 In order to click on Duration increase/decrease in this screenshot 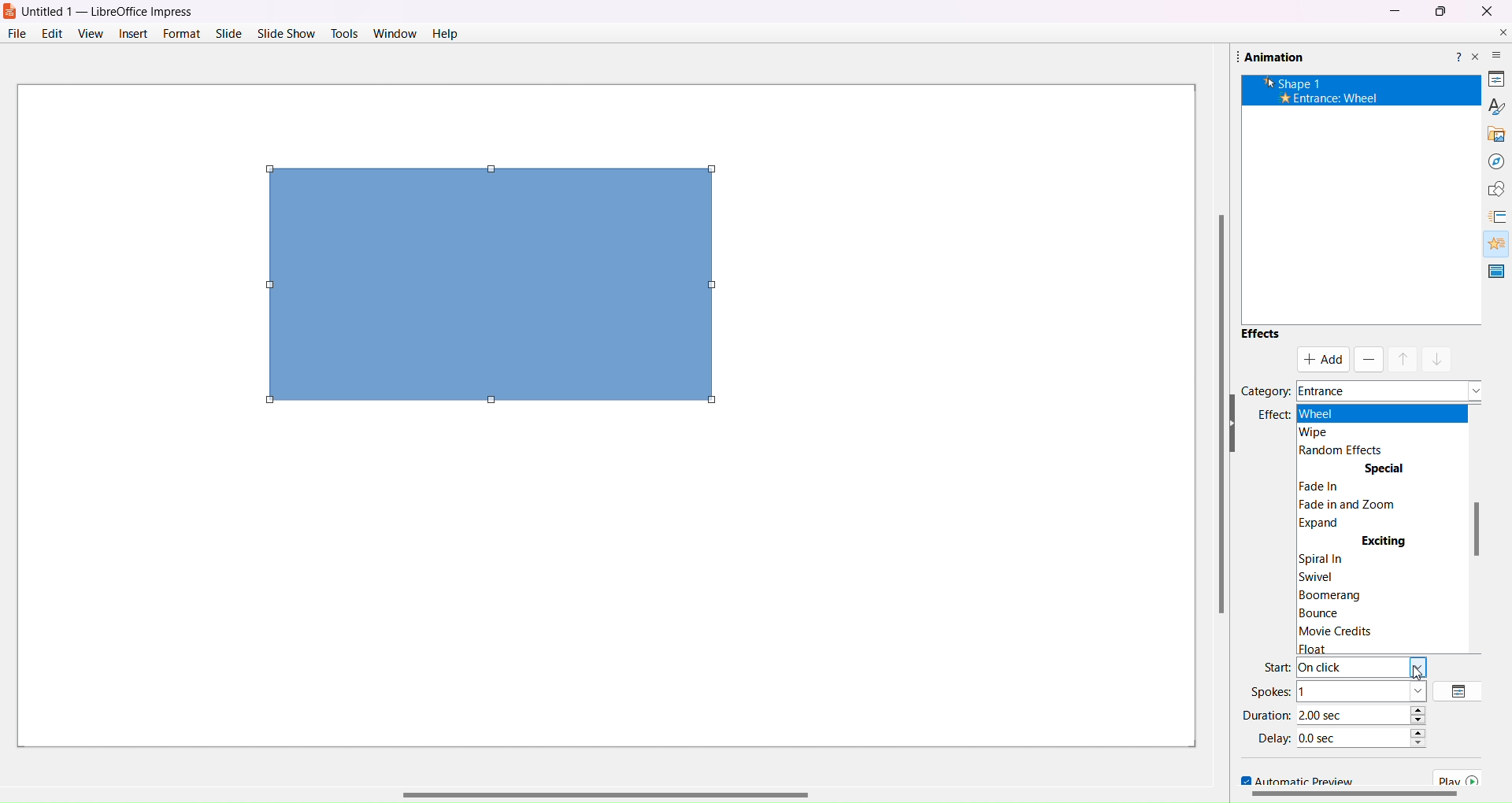, I will do `click(1422, 714)`.